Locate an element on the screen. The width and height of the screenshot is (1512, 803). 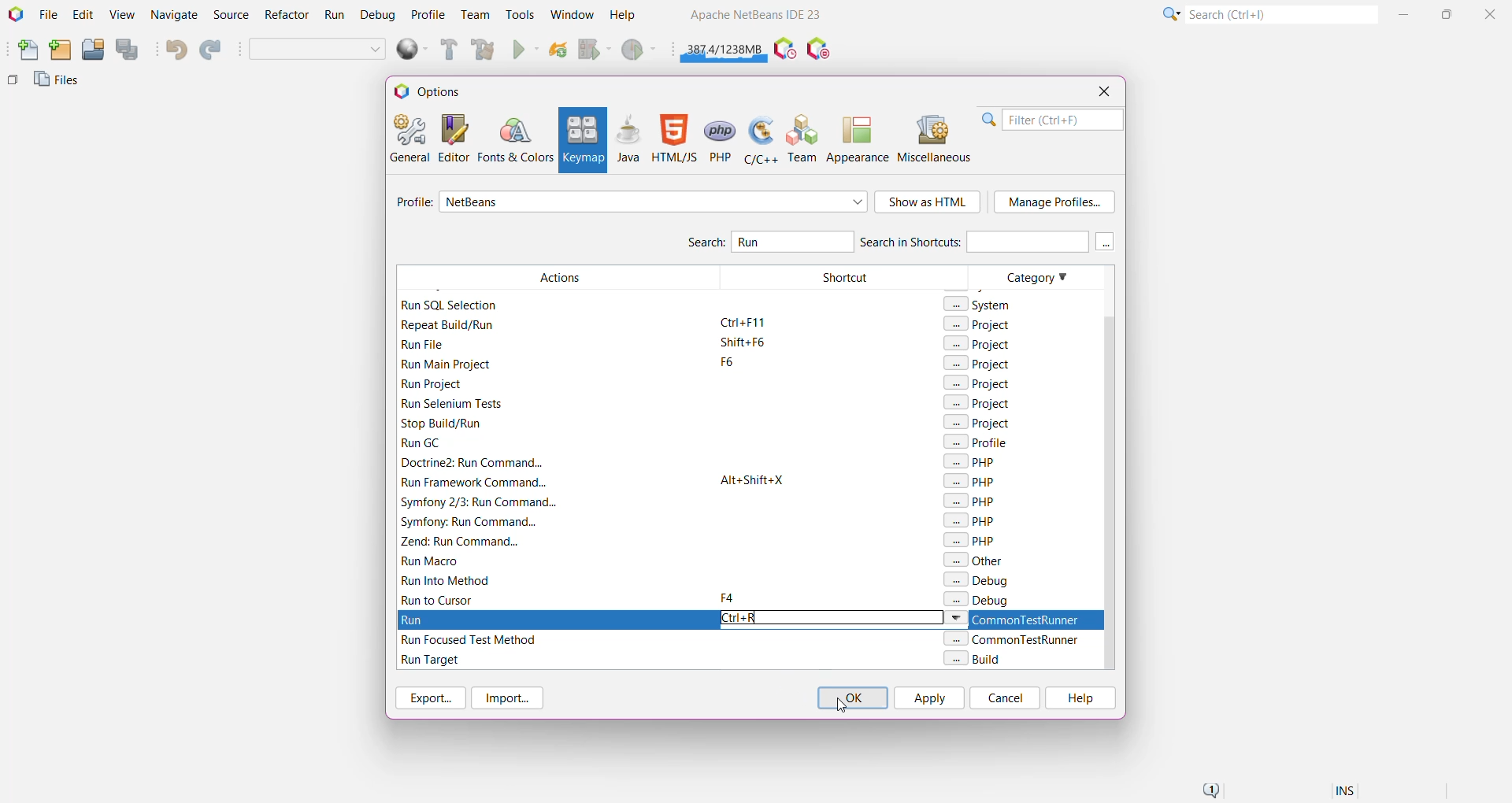
Minimize is located at coordinates (1406, 14).